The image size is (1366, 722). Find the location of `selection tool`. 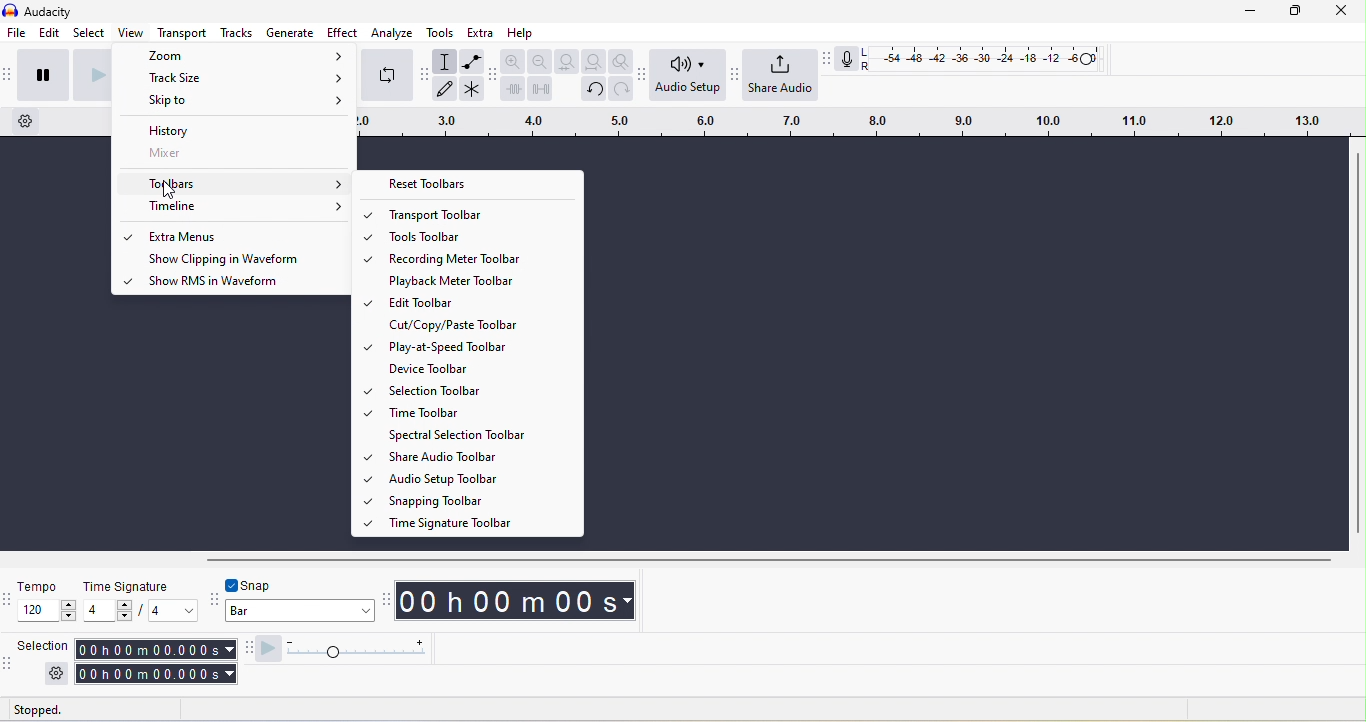

selection tool is located at coordinates (444, 61).